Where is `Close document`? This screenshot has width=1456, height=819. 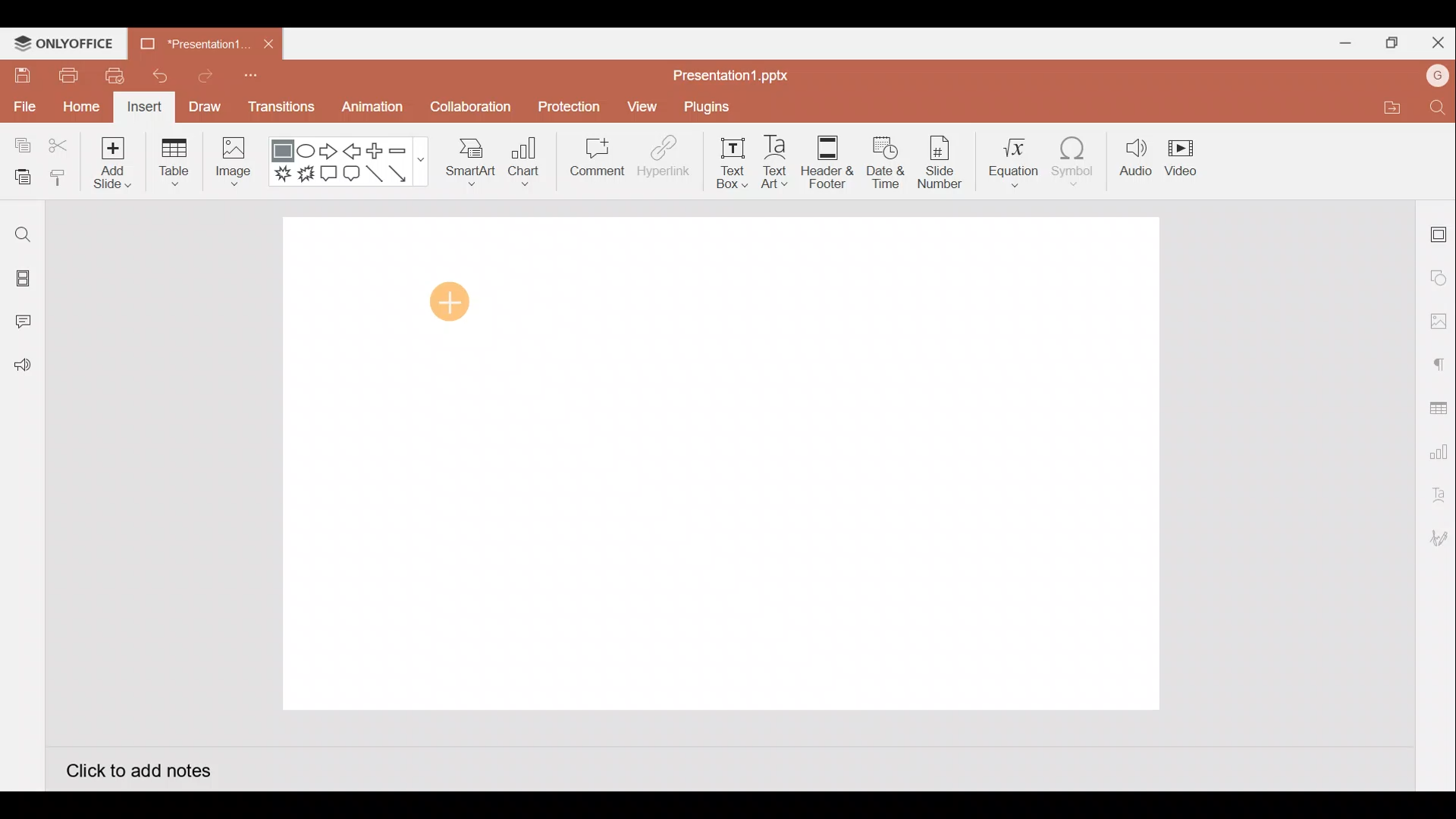 Close document is located at coordinates (267, 42).